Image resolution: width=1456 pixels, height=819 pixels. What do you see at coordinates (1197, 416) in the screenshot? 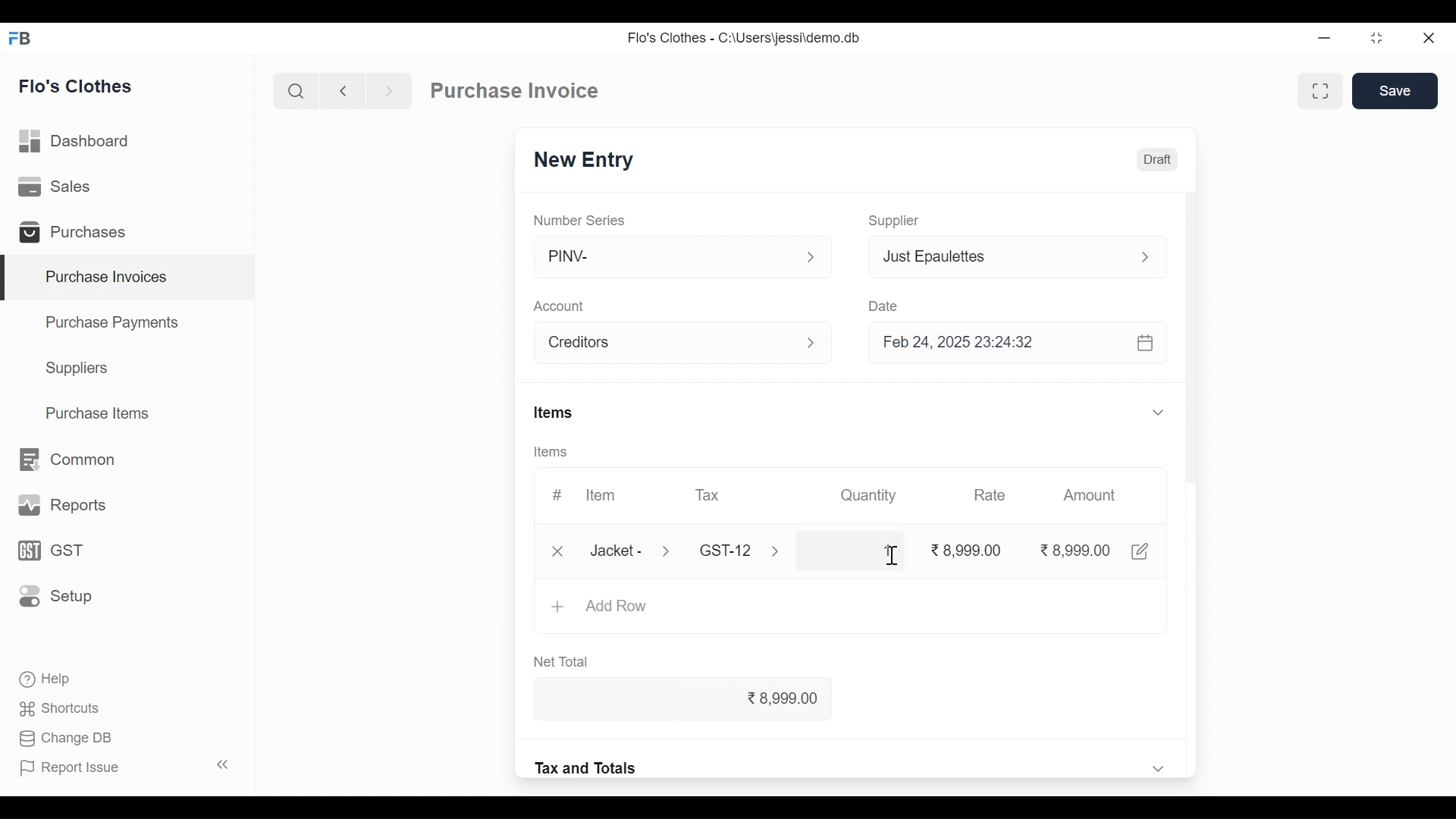
I see `Vertical Scroll bar` at bounding box center [1197, 416].